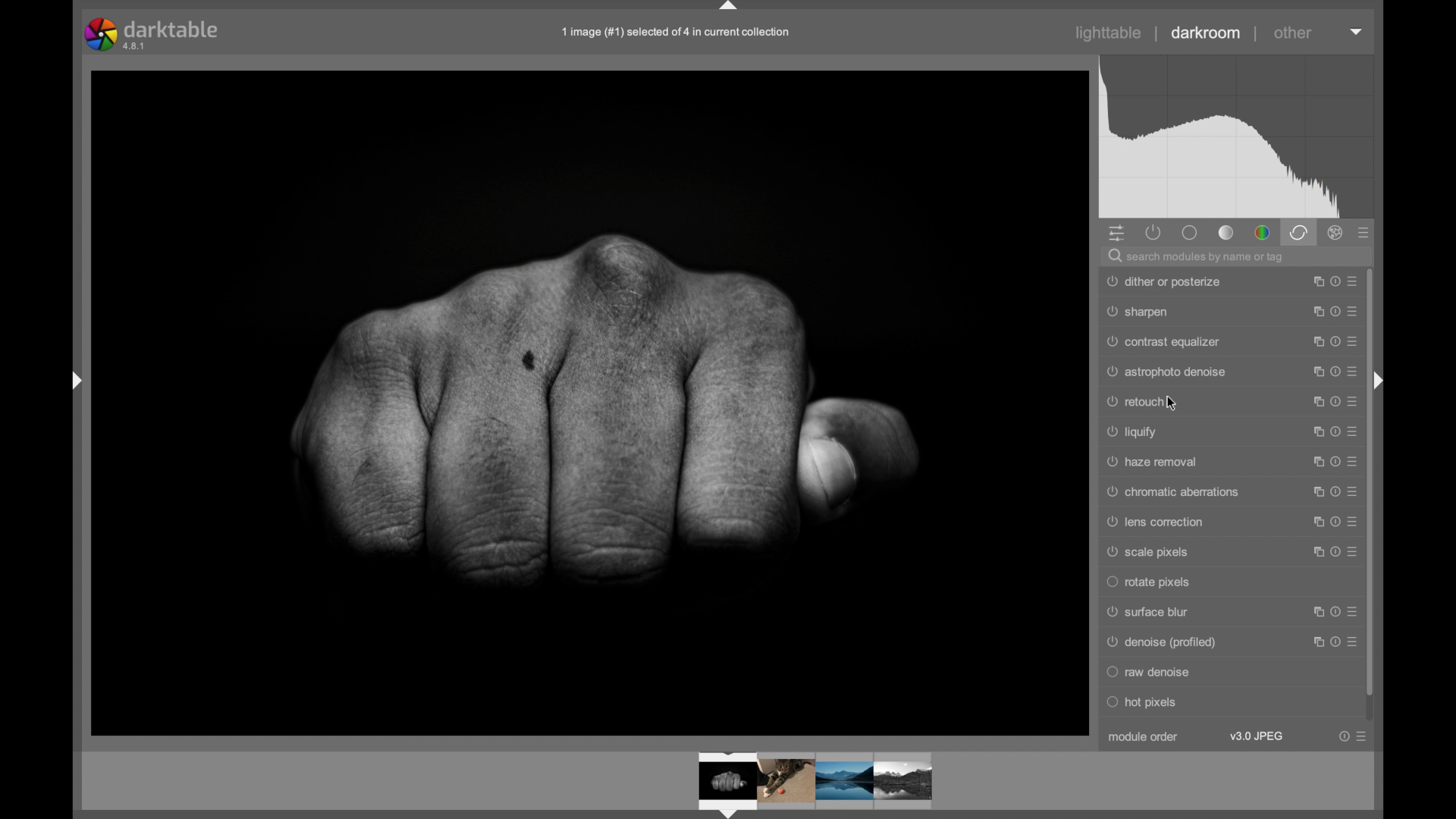  I want to click on lighttable, so click(1109, 33).